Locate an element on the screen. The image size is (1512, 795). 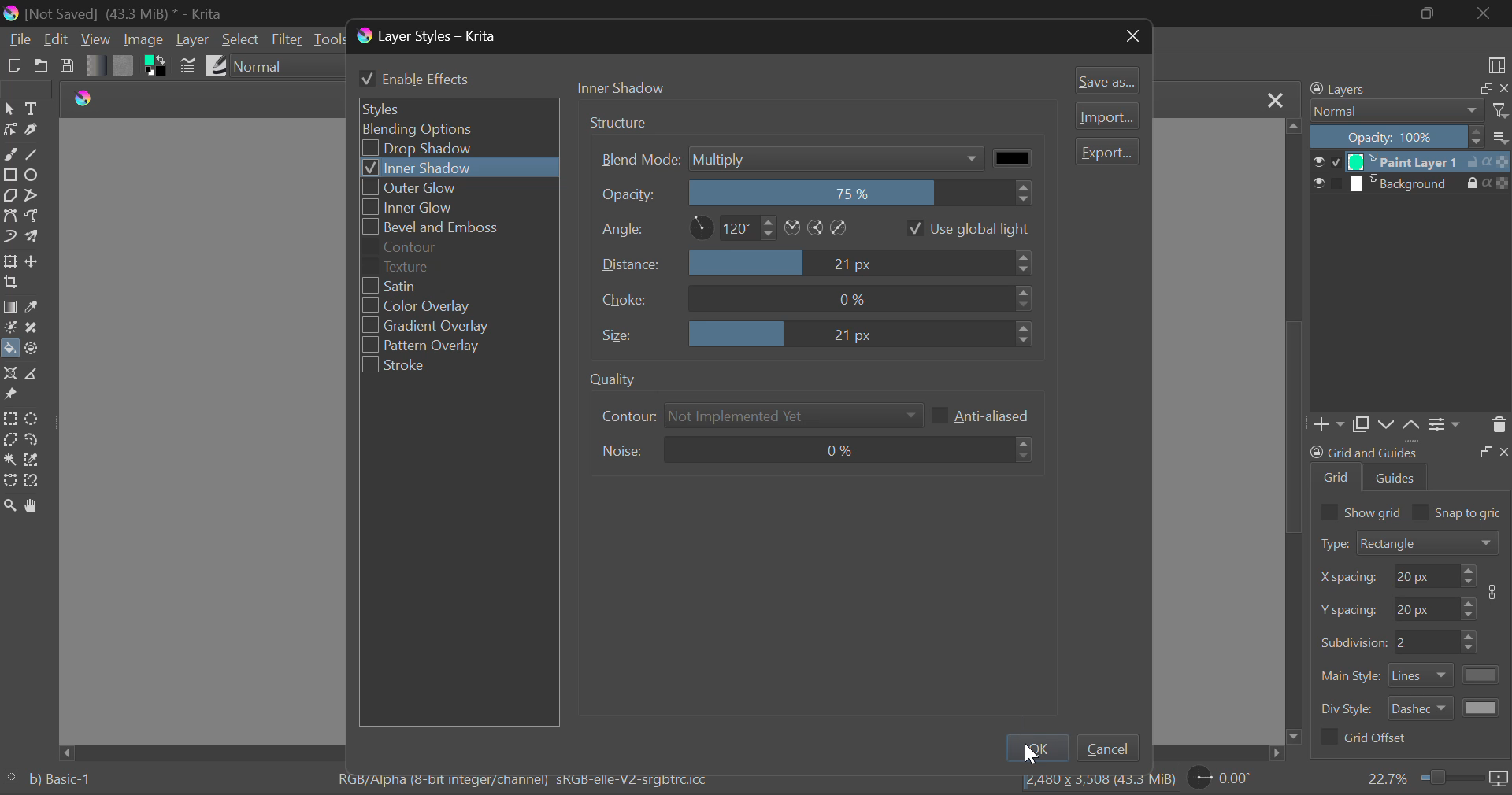
Rectangular Selection is located at coordinates (9, 419).